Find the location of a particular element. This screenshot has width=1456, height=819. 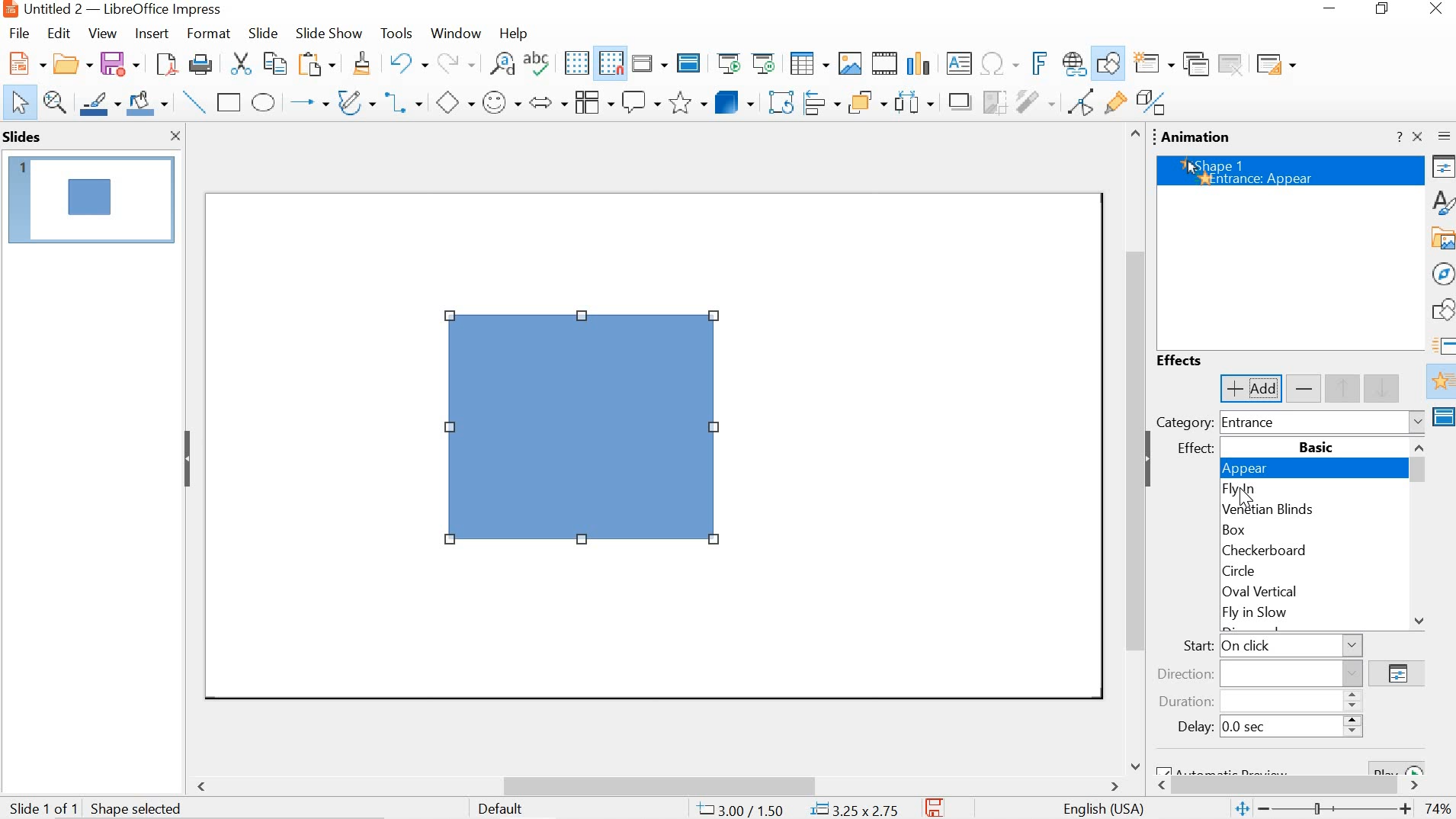

close pane is located at coordinates (171, 135).